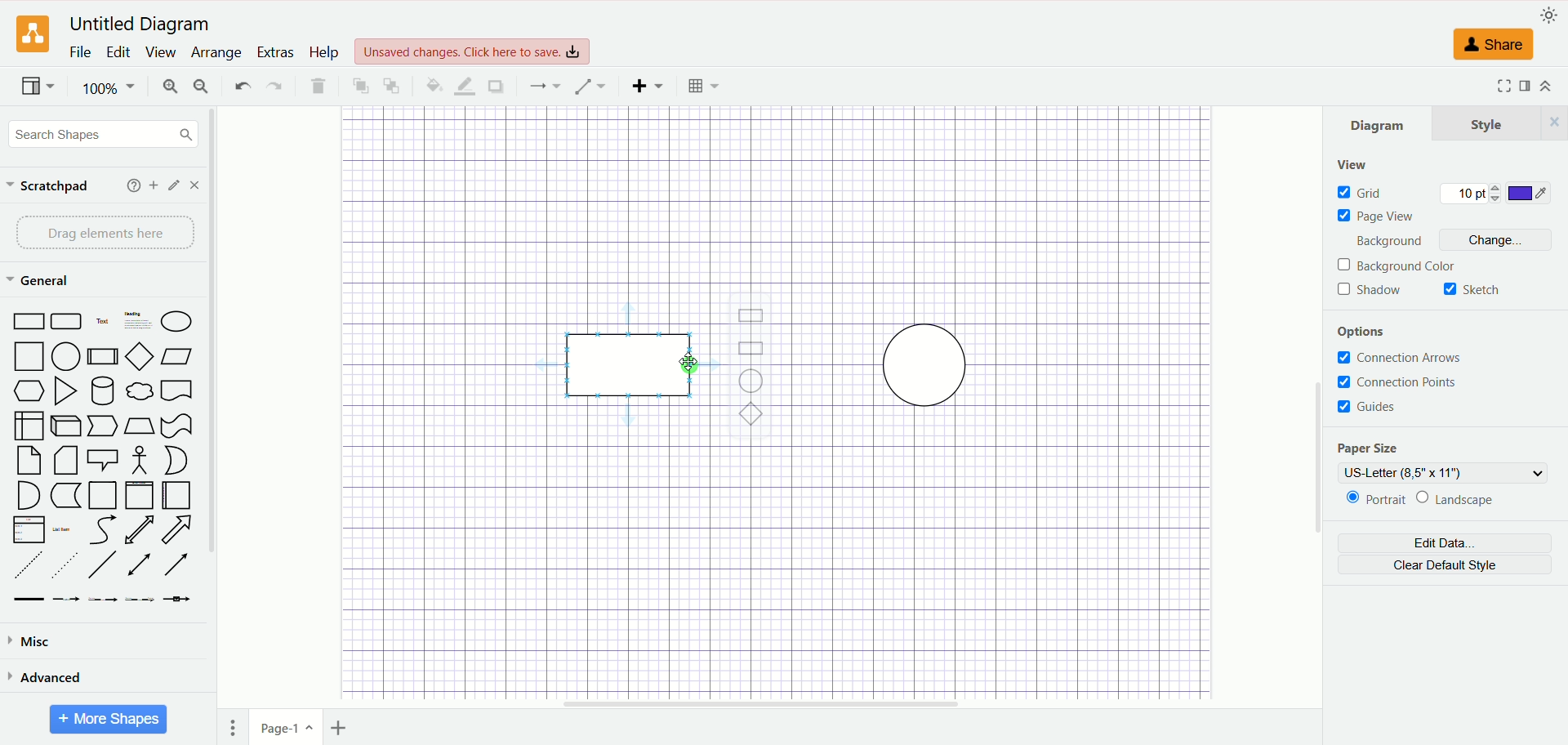 The height and width of the screenshot is (745, 1568). Describe the element at coordinates (28, 529) in the screenshot. I see `Item List` at that location.